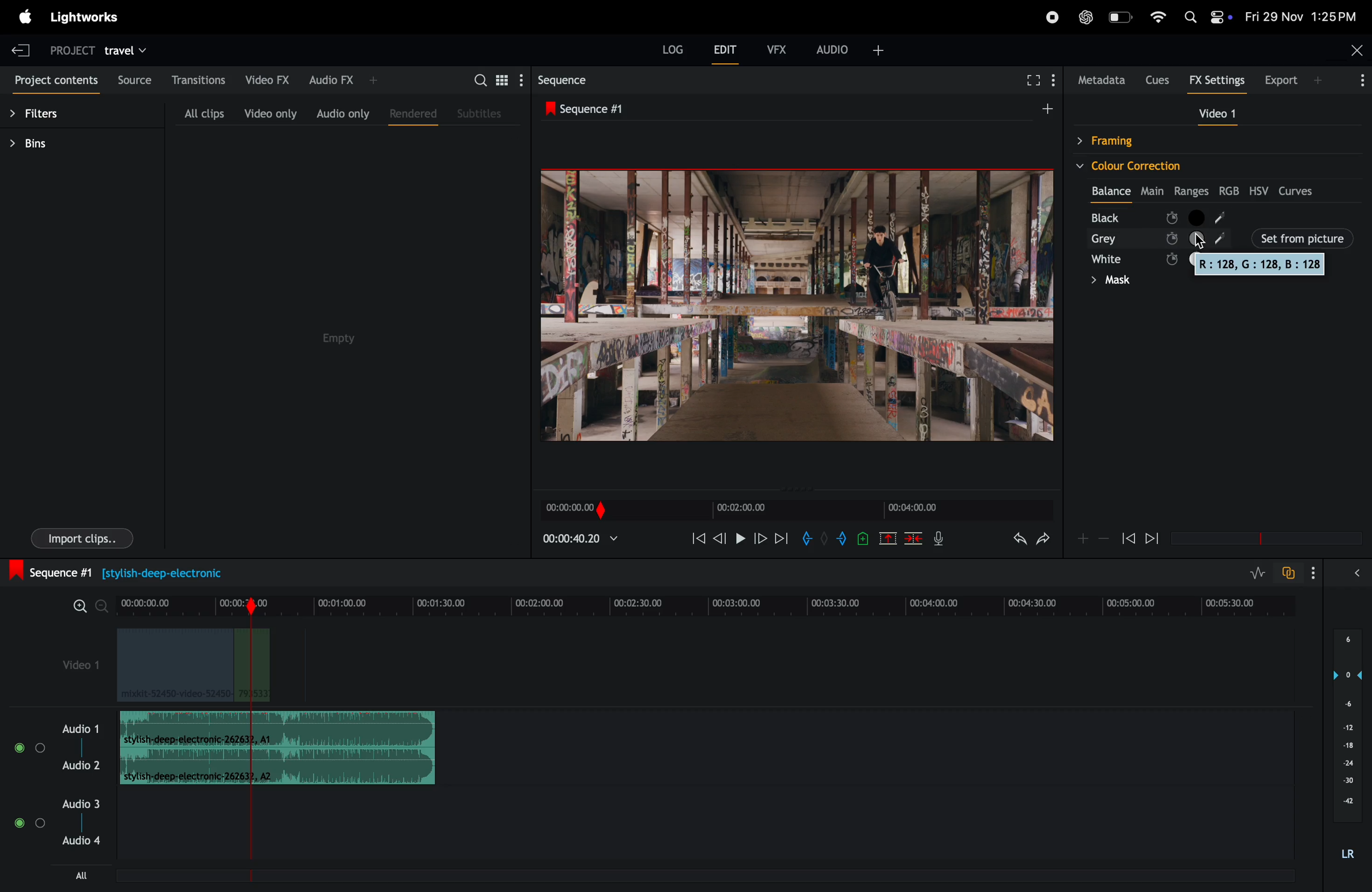 This screenshot has height=892, width=1372. Describe the element at coordinates (1157, 80) in the screenshot. I see `cues` at that location.